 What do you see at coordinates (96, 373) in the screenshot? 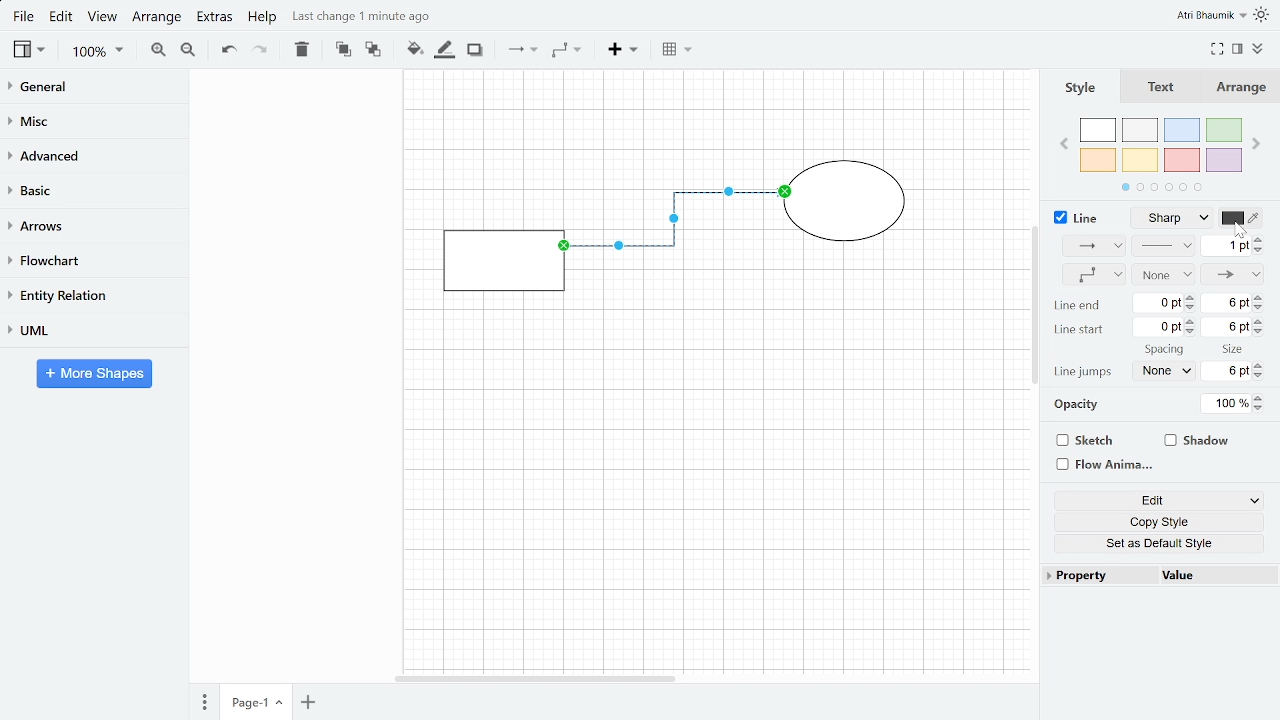
I see `More shapes` at bounding box center [96, 373].